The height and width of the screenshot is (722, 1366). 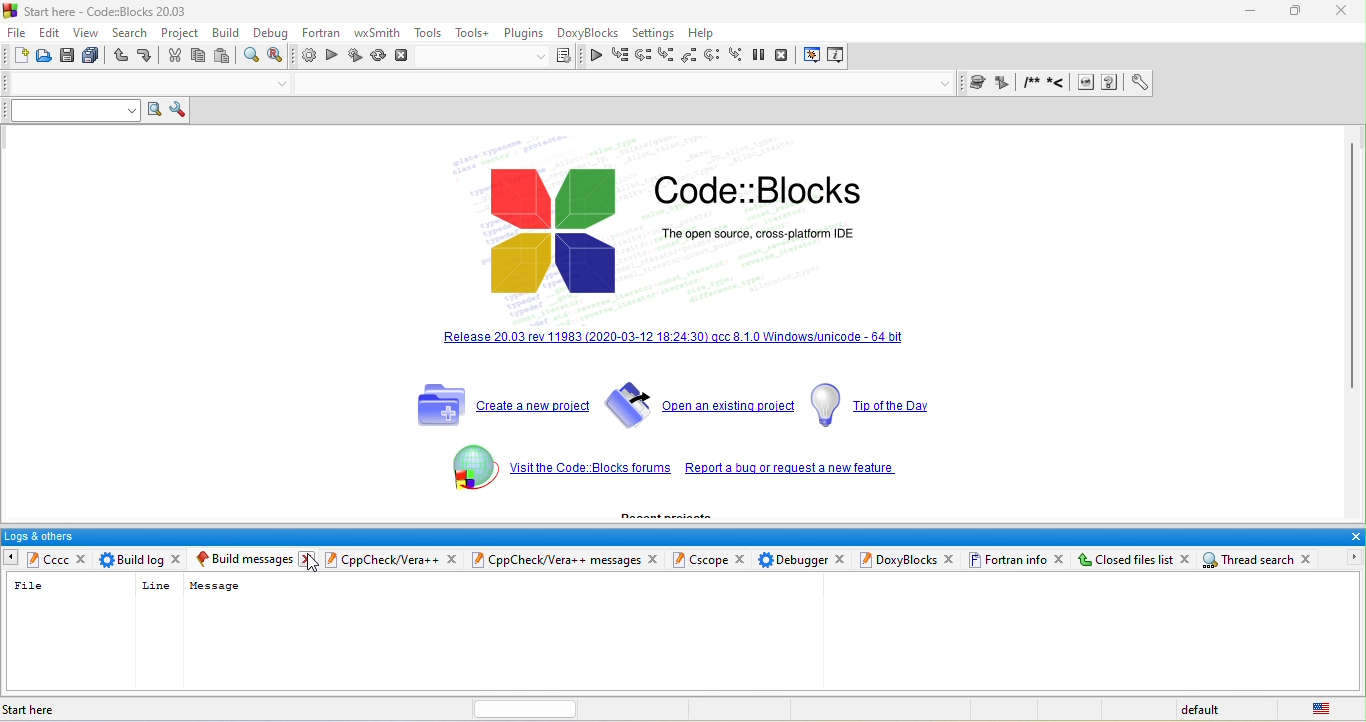 What do you see at coordinates (502, 57) in the screenshot?
I see `show the select target dialog` at bounding box center [502, 57].